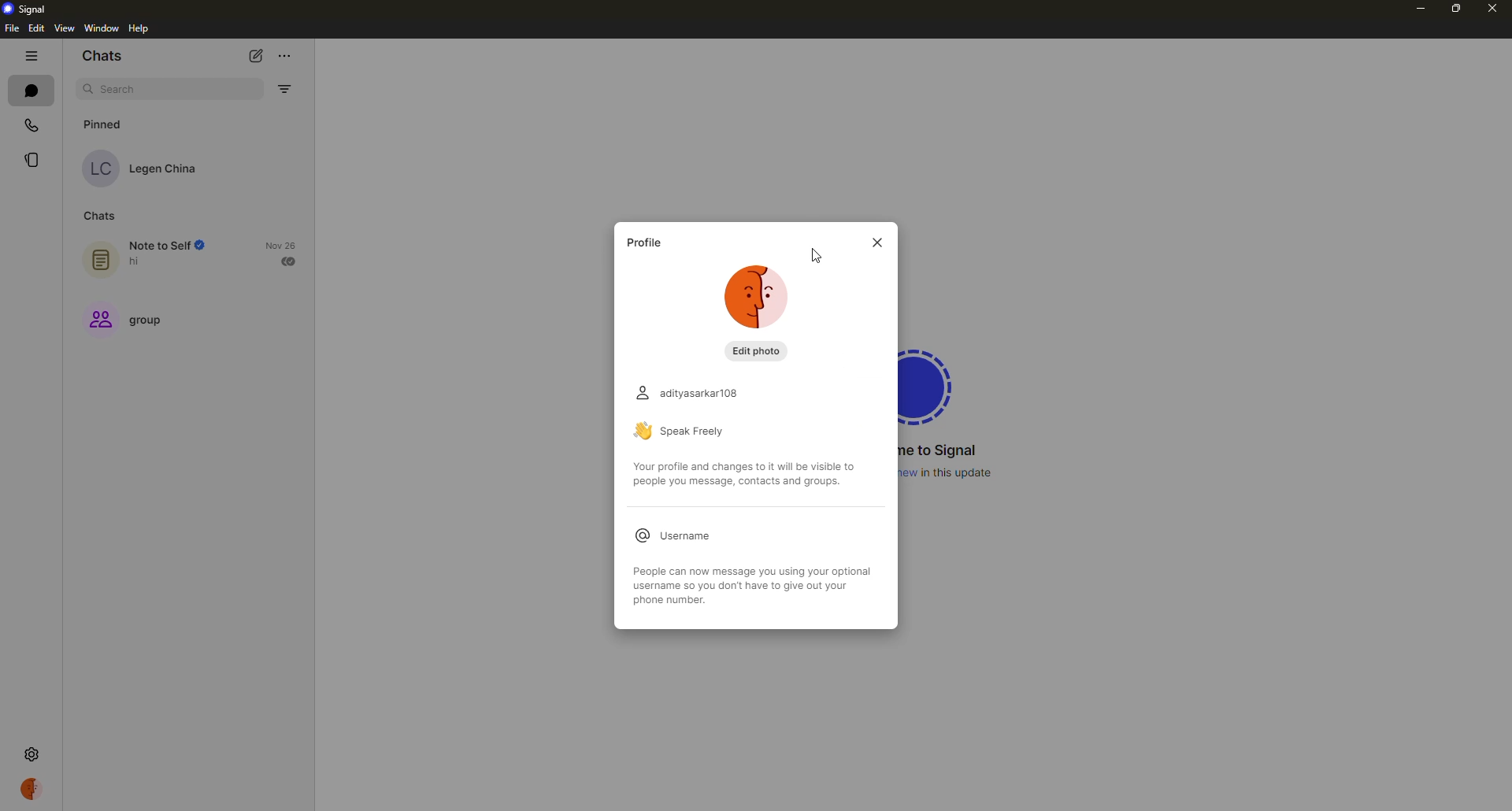 This screenshot has height=811, width=1512. What do you see at coordinates (150, 254) in the screenshot?
I see `note to self` at bounding box center [150, 254].